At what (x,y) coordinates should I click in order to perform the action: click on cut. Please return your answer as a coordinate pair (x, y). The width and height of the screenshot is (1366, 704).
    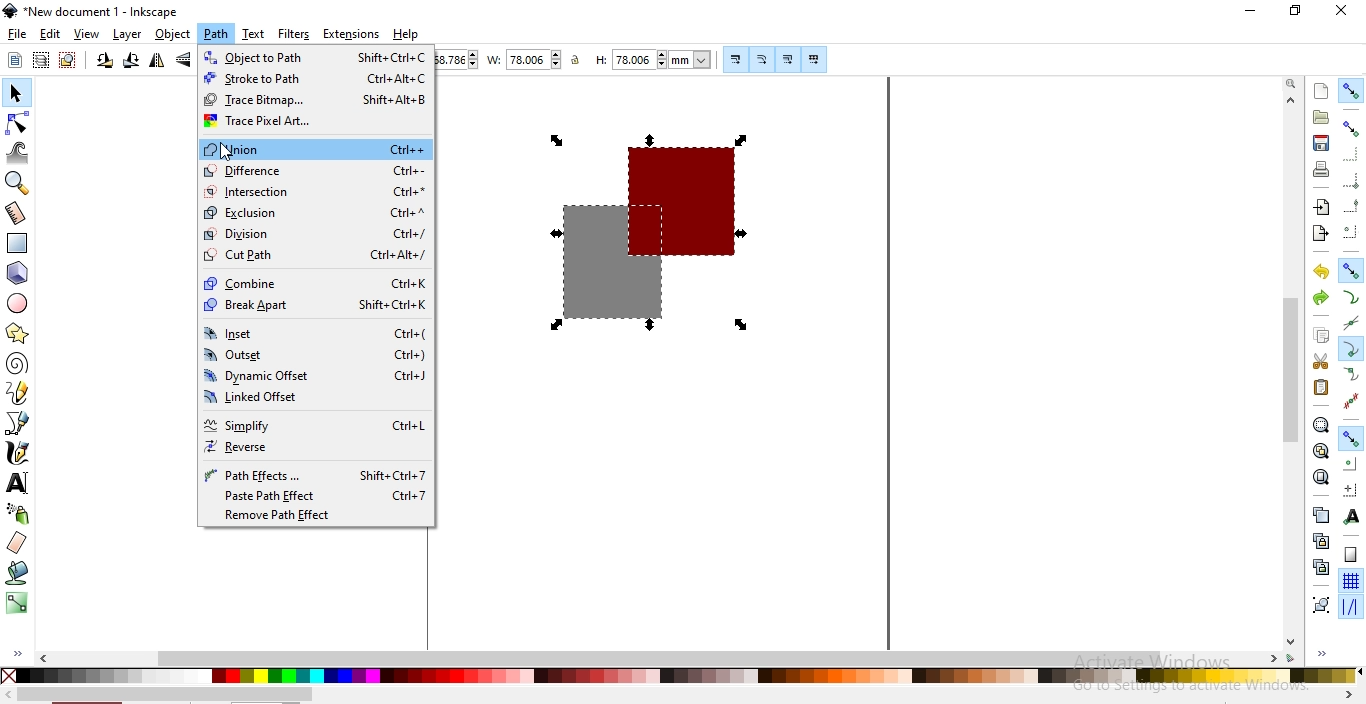
    Looking at the image, I should click on (1320, 362).